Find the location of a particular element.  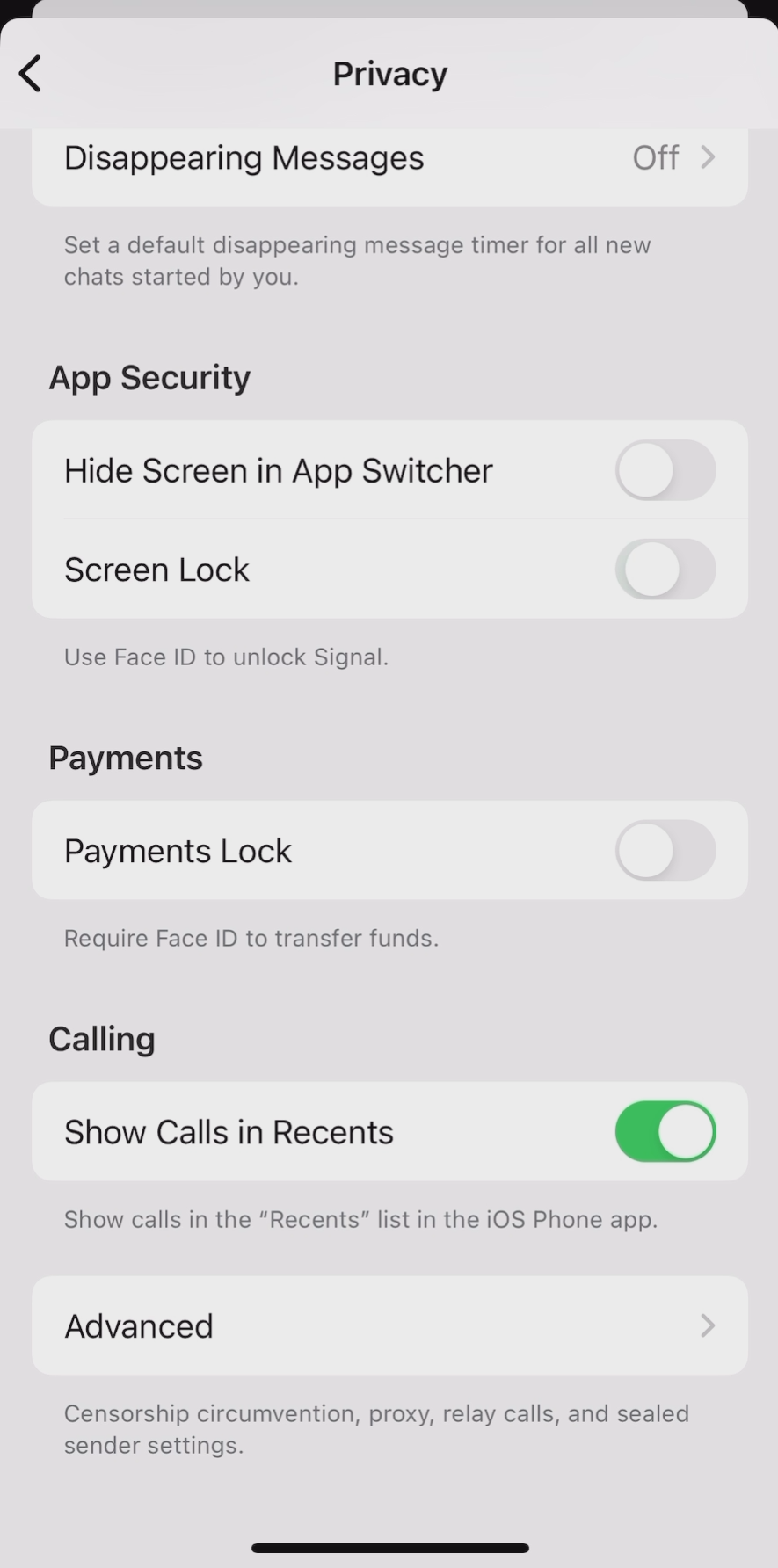

Payments is located at coordinates (128, 759).